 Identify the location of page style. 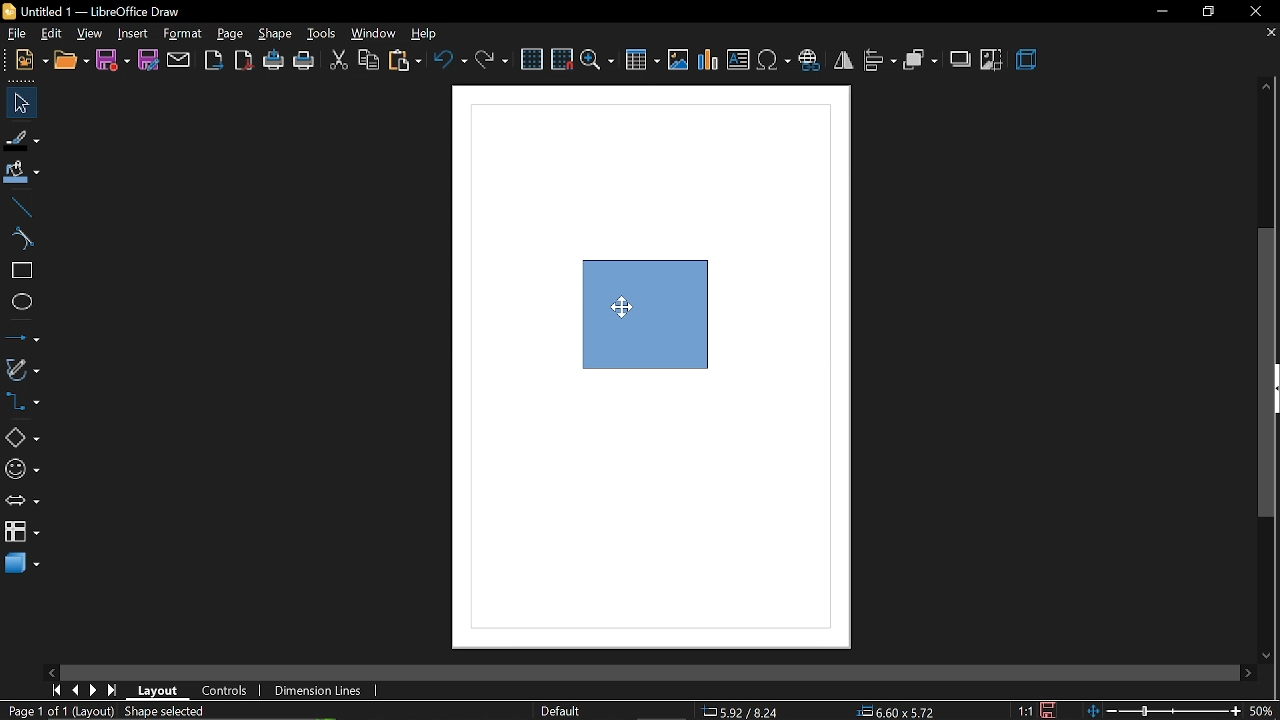
(559, 710).